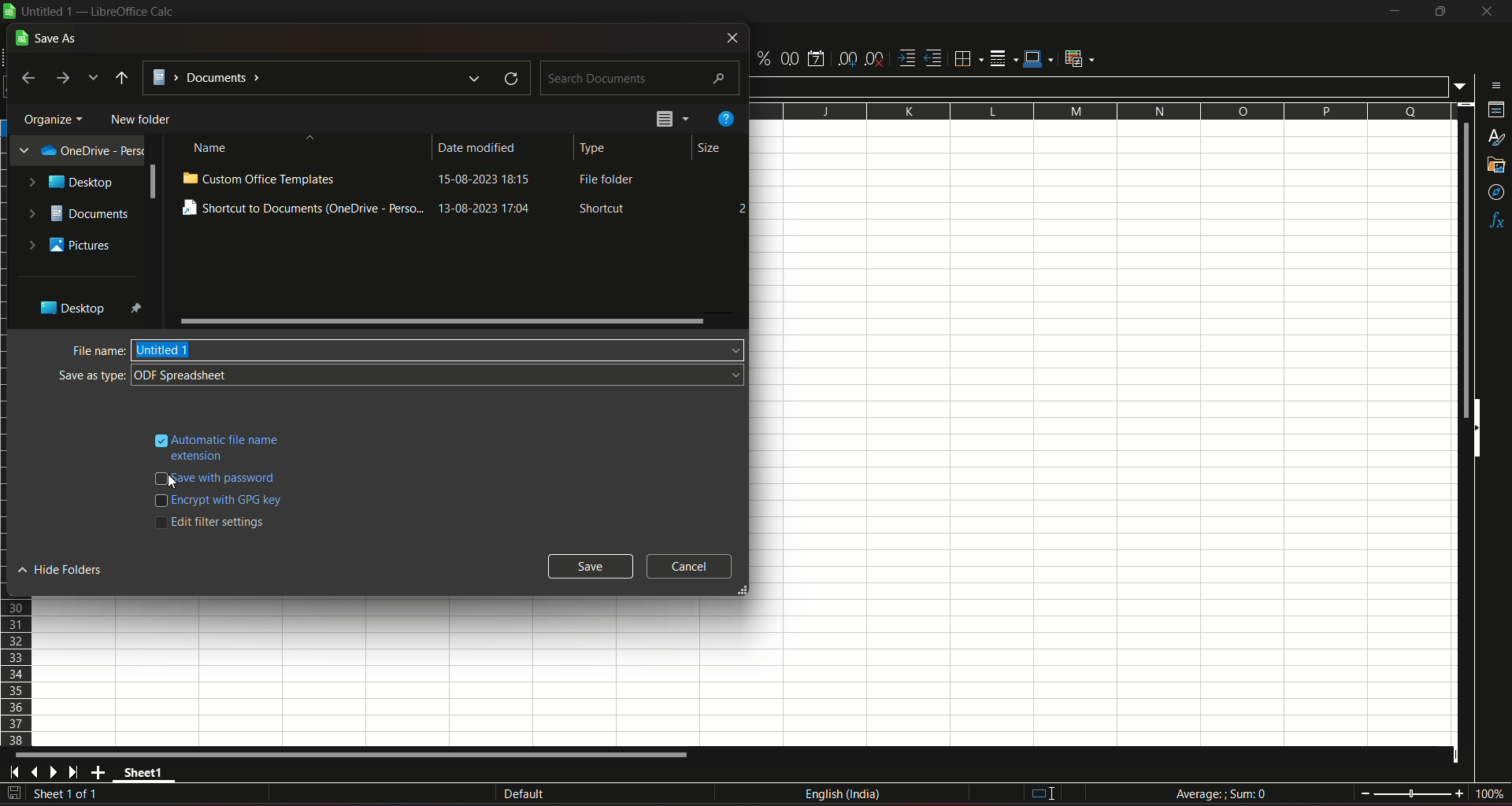 This screenshot has width=1512, height=806. What do you see at coordinates (74, 772) in the screenshot?
I see `last sheet` at bounding box center [74, 772].